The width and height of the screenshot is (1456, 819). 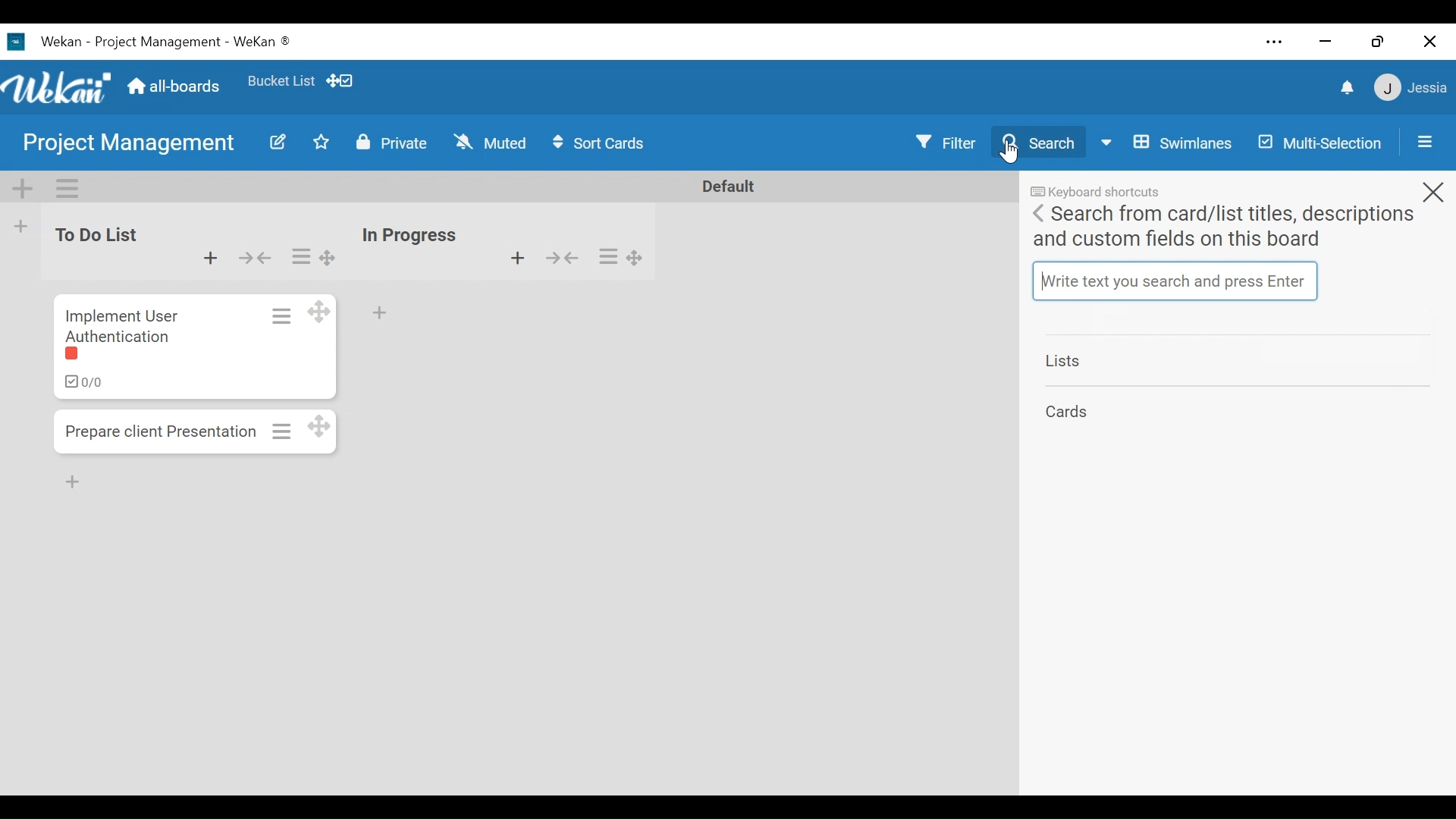 What do you see at coordinates (735, 186) in the screenshot?
I see `Default` at bounding box center [735, 186].